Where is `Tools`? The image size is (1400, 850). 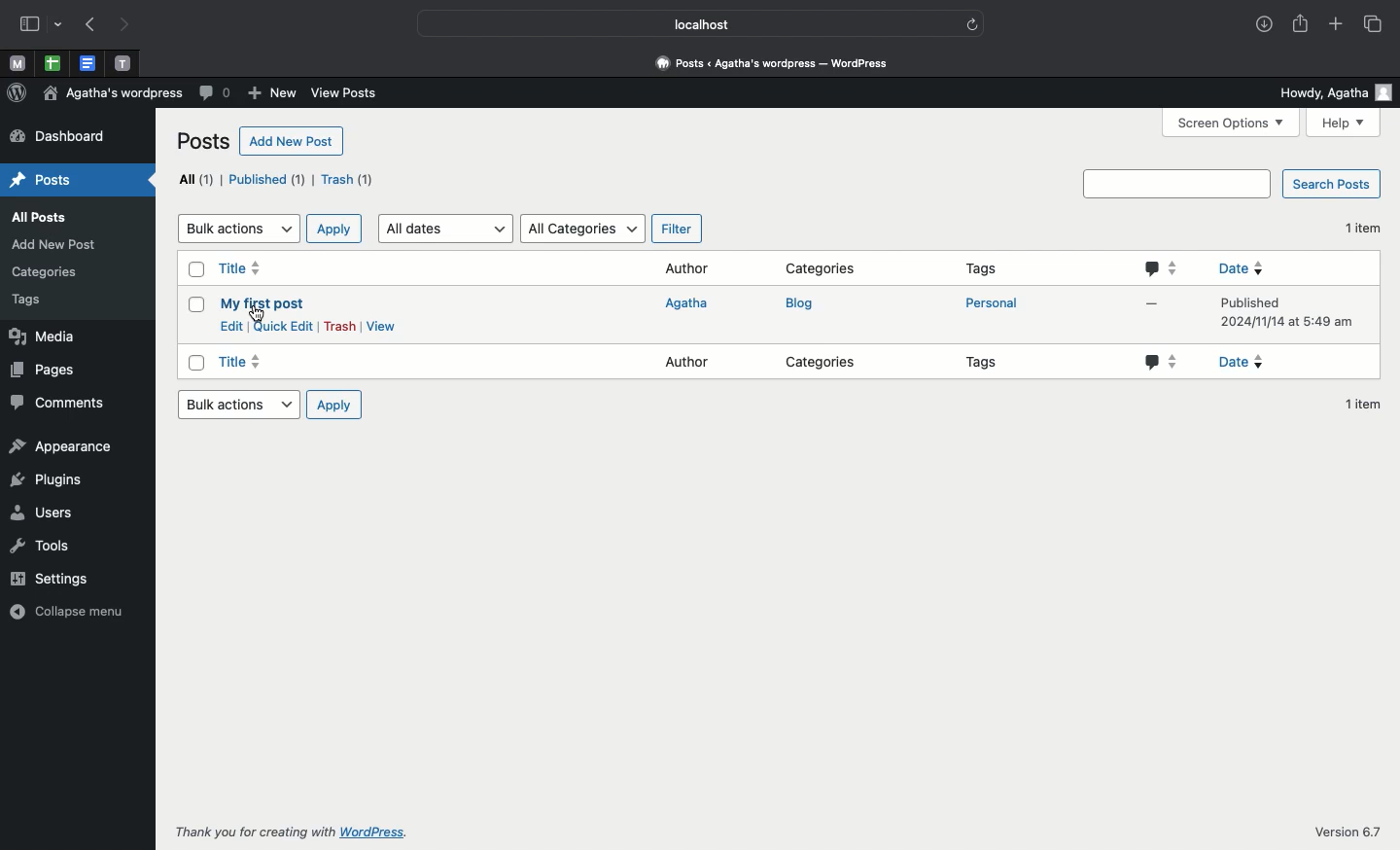 Tools is located at coordinates (58, 547).